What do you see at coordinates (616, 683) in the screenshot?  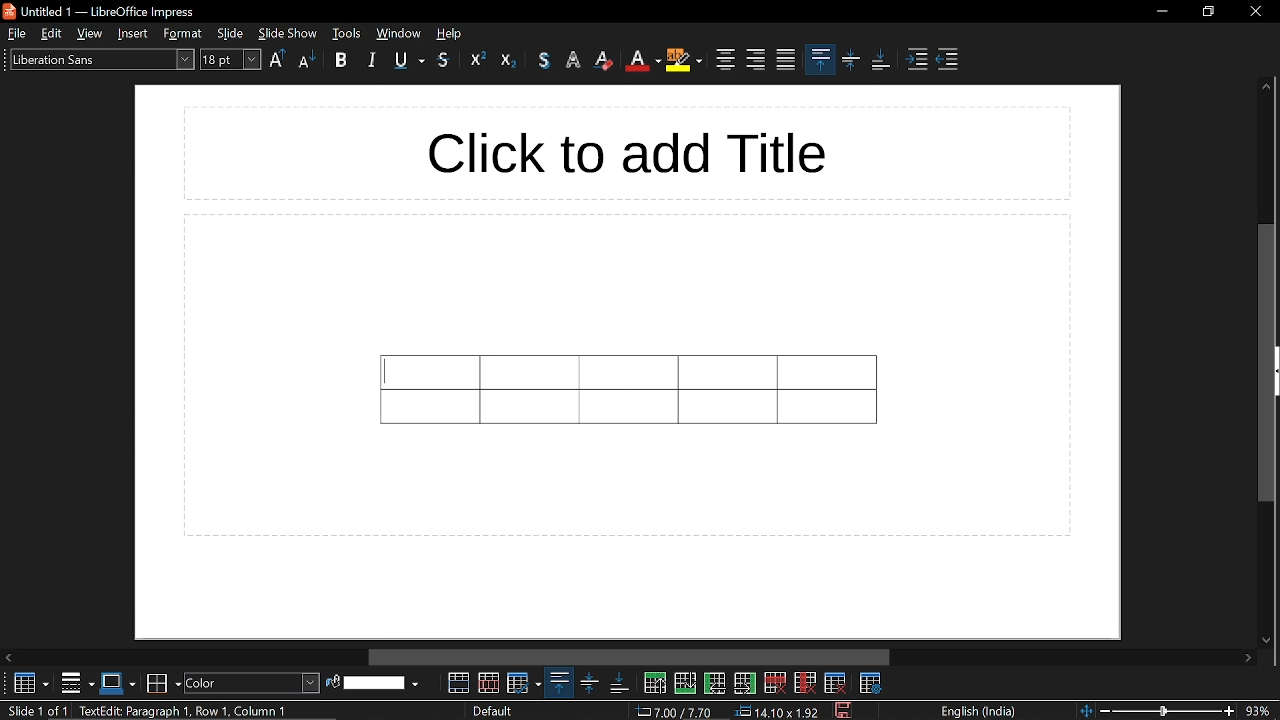 I see `align bottom` at bounding box center [616, 683].